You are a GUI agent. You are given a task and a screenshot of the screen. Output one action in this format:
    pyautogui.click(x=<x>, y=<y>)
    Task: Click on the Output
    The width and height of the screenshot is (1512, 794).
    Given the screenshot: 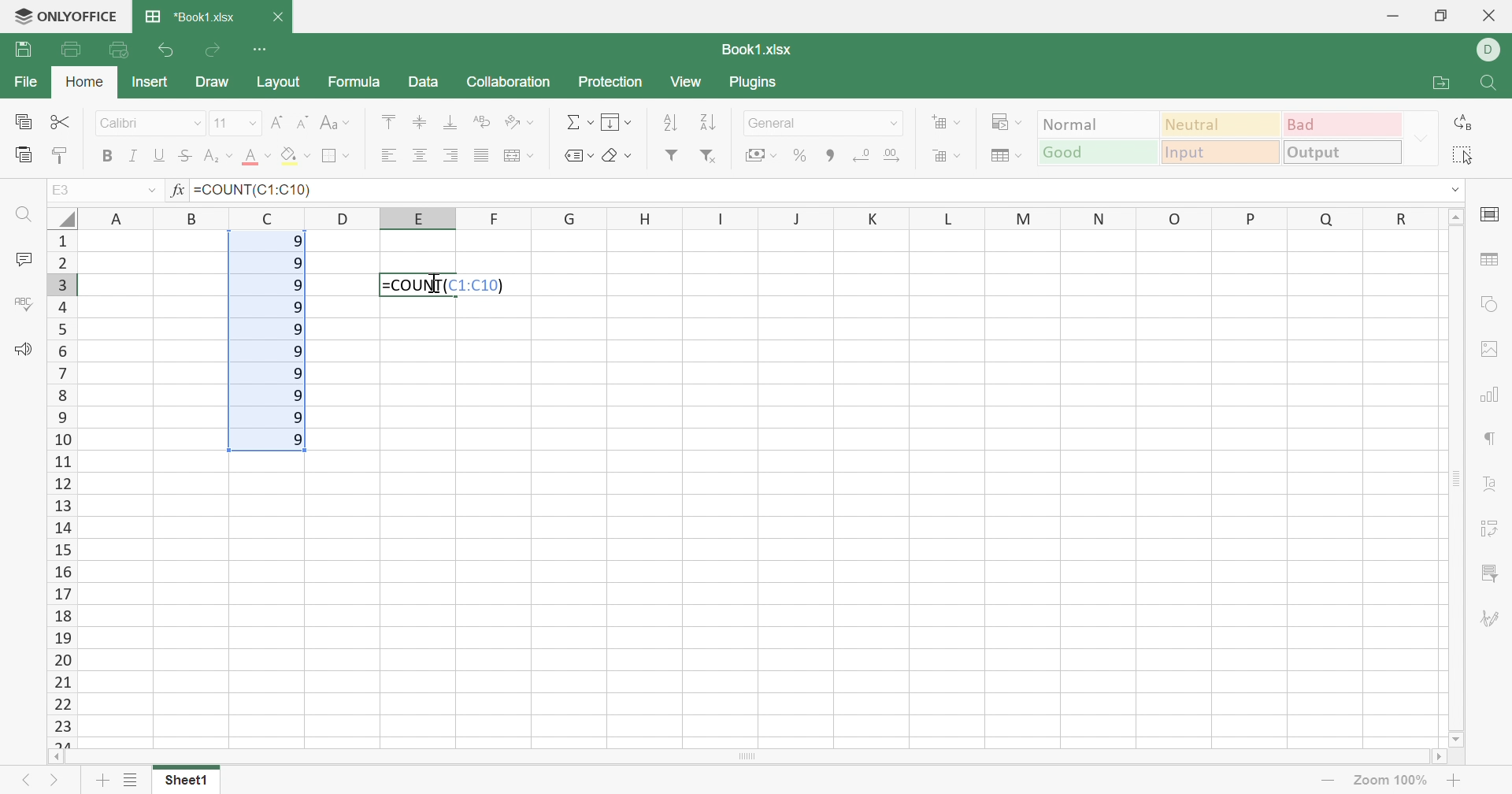 What is the action you would take?
    pyautogui.click(x=1341, y=153)
    